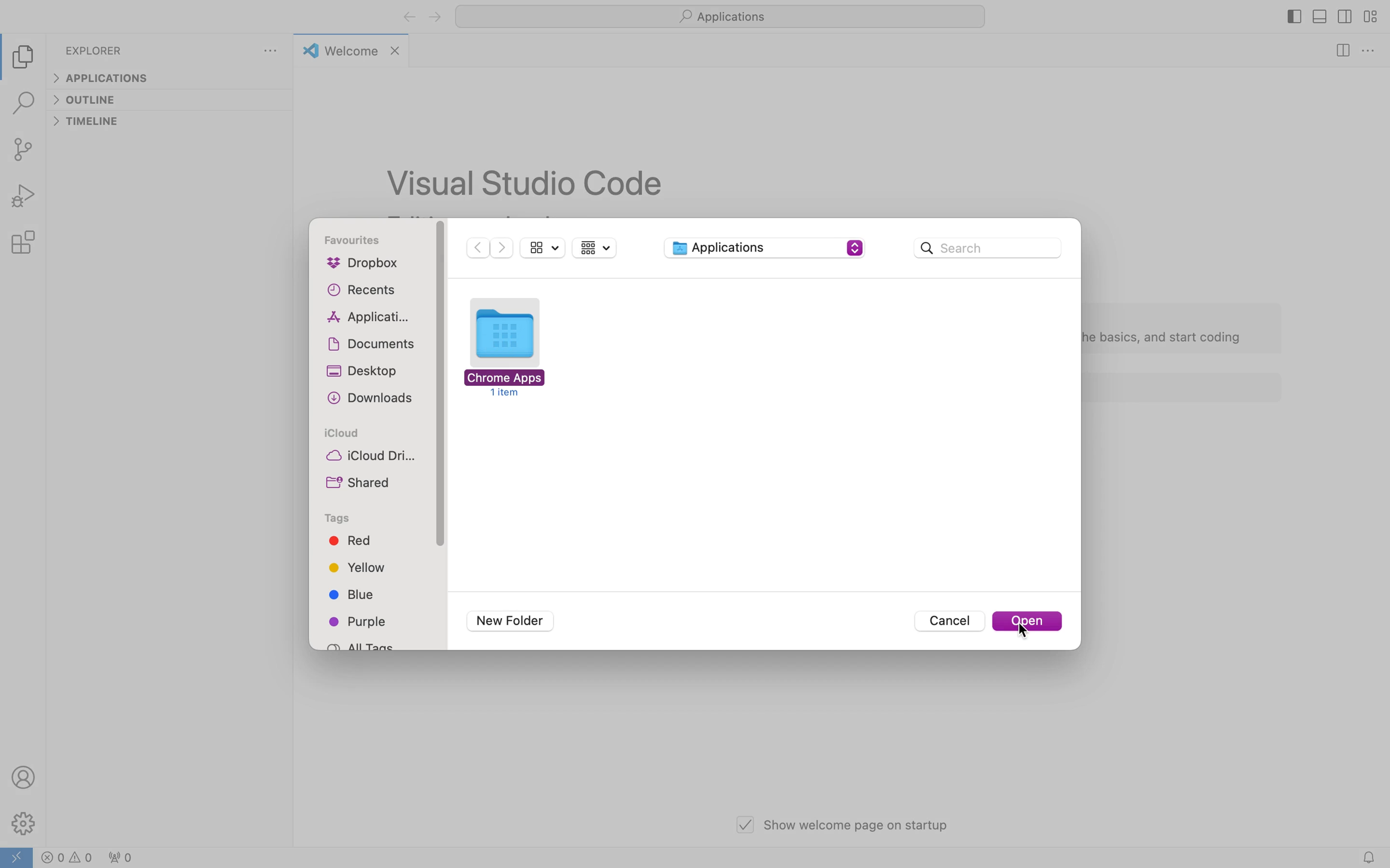 The height and width of the screenshot is (868, 1390). What do you see at coordinates (841, 824) in the screenshot?
I see `show welcome page on startup` at bounding box center [841, 824].